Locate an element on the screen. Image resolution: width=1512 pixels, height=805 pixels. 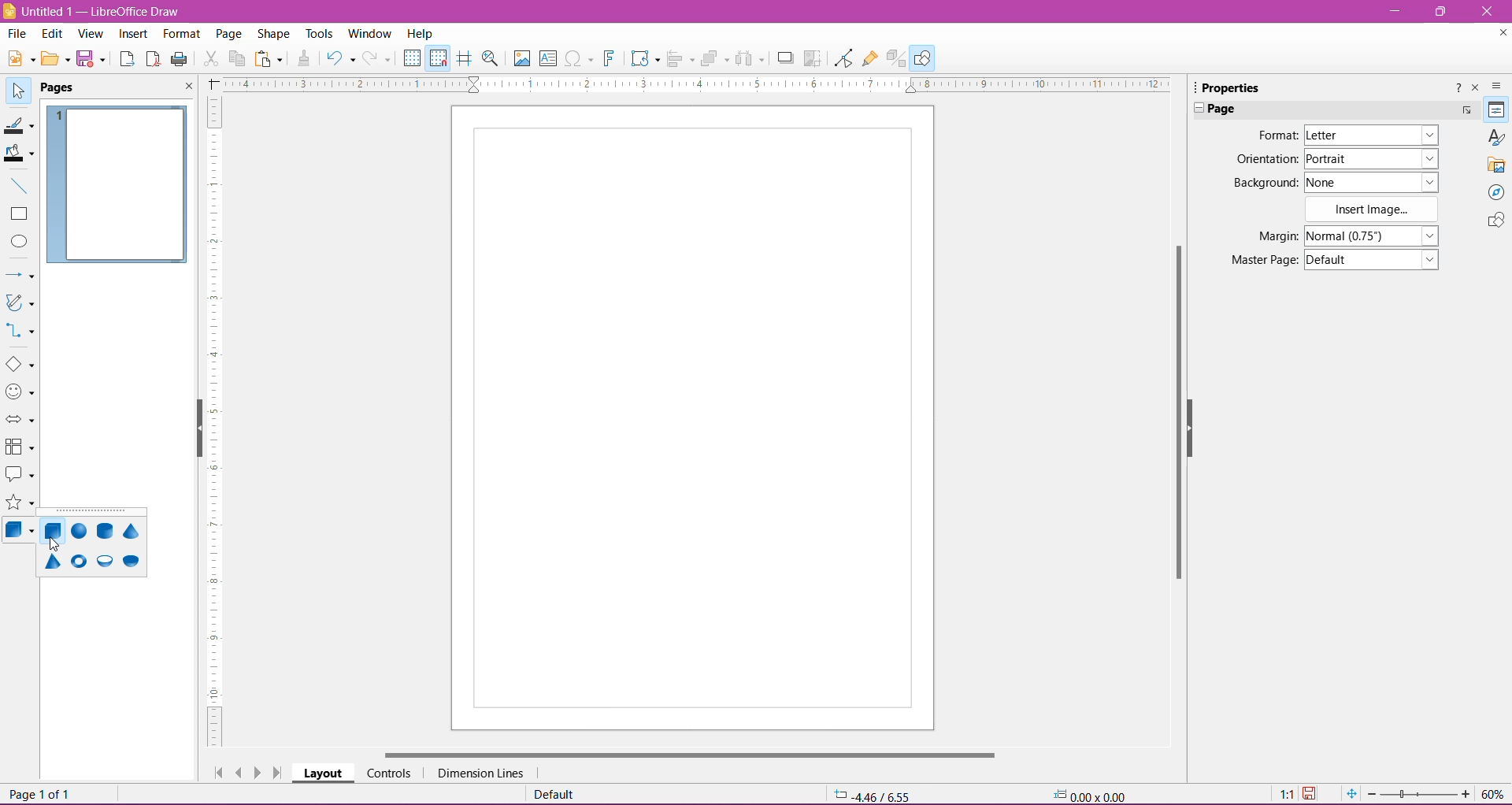
Transformations is located at coordinates (643, 58).